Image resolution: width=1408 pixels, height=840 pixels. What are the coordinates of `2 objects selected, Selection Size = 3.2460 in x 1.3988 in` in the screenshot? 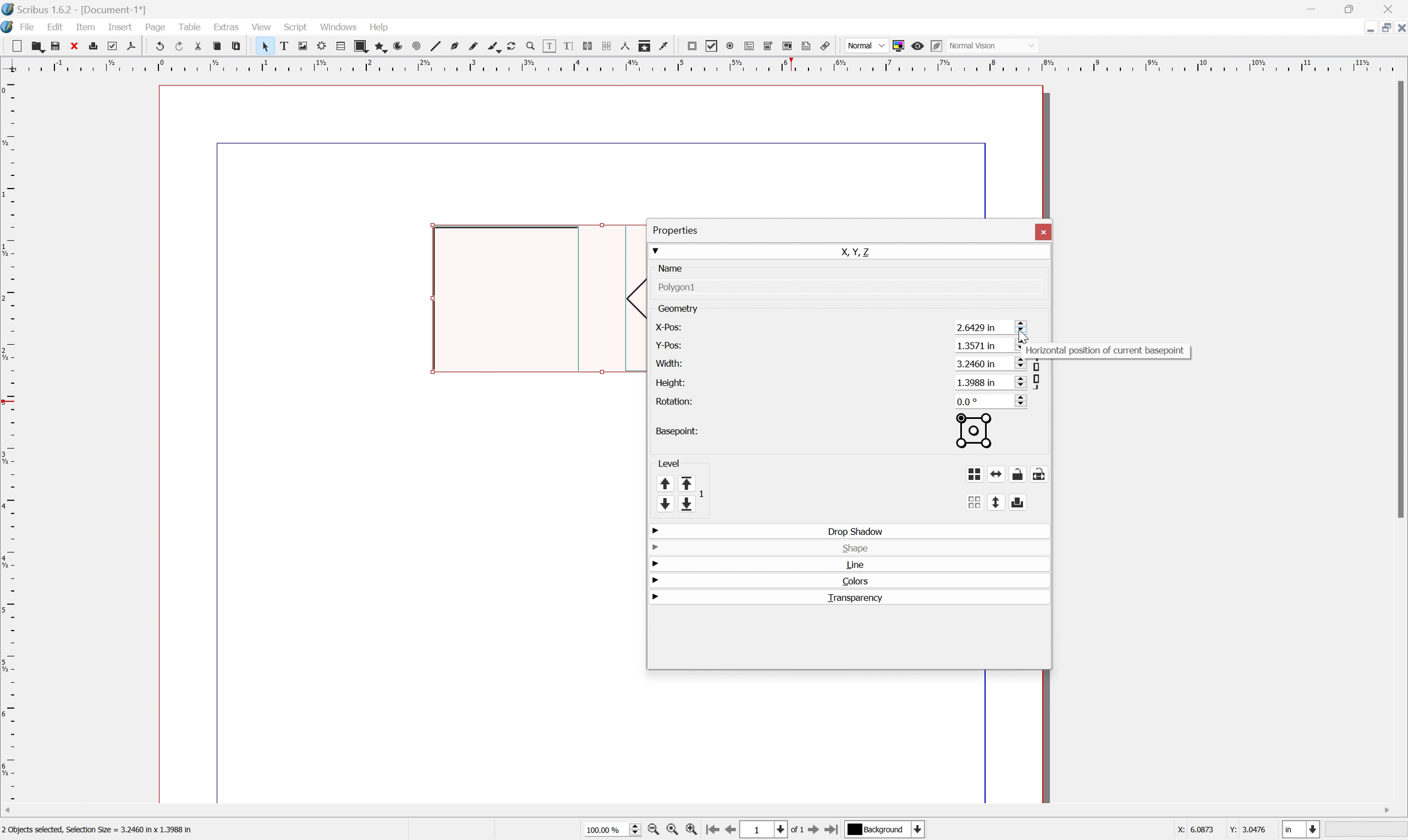 It's located at (105, 828).